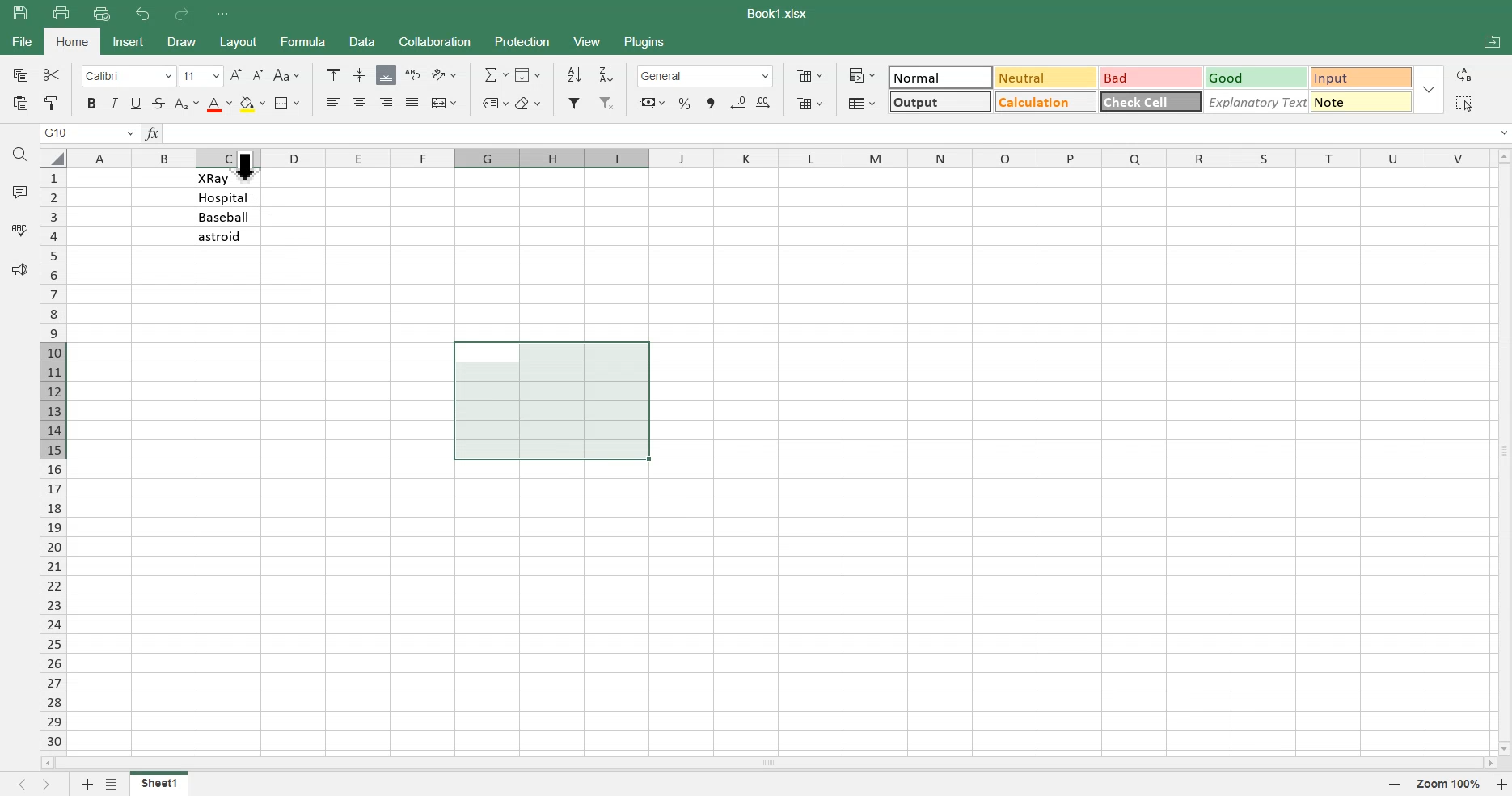 This screenshot has height=796, width=1512. Describe the element at coordinates (227, 216) in the screenshot. I see `baseball` at that location.